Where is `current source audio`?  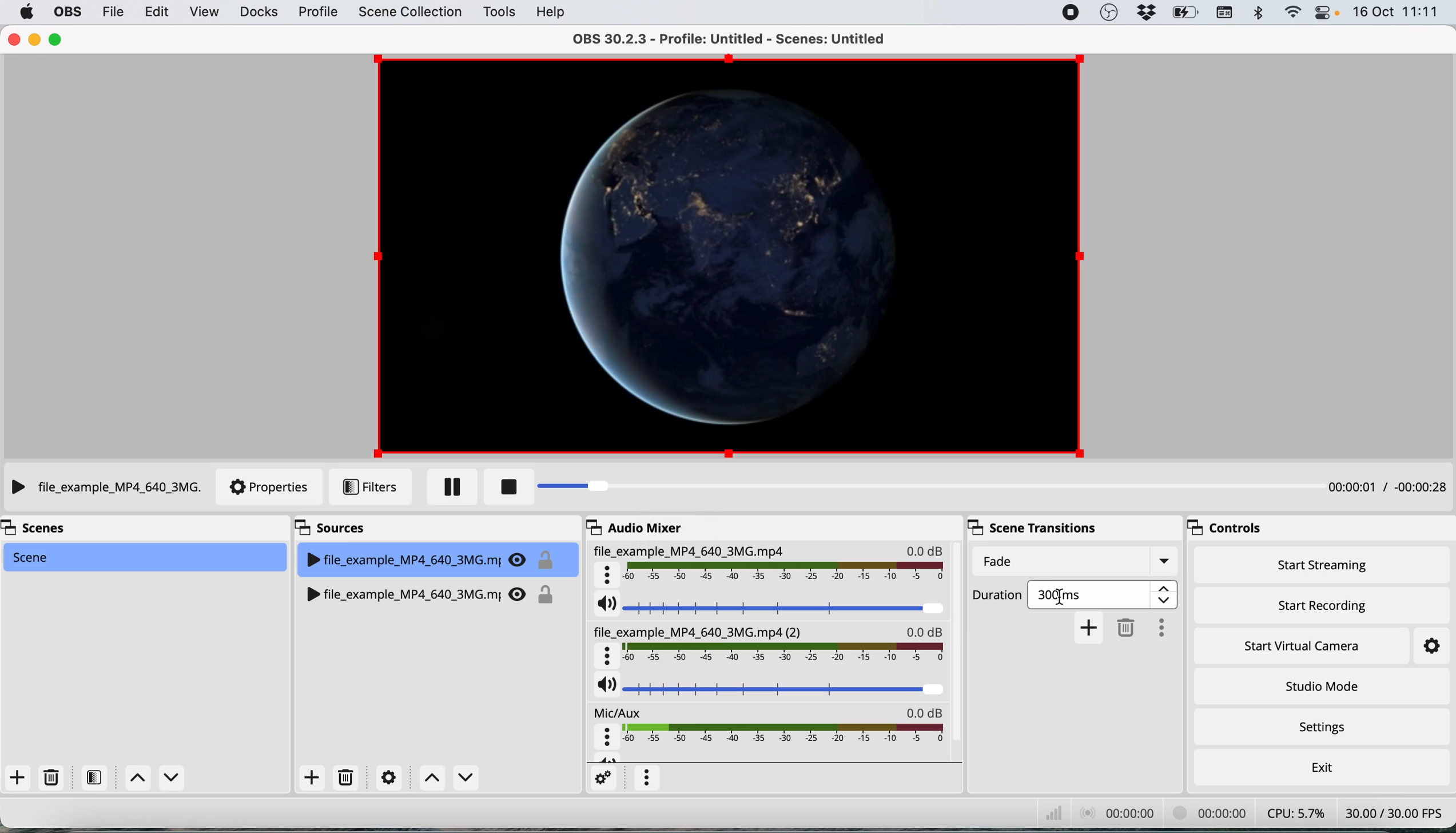 current source audio is located at coordinates (773, 568).